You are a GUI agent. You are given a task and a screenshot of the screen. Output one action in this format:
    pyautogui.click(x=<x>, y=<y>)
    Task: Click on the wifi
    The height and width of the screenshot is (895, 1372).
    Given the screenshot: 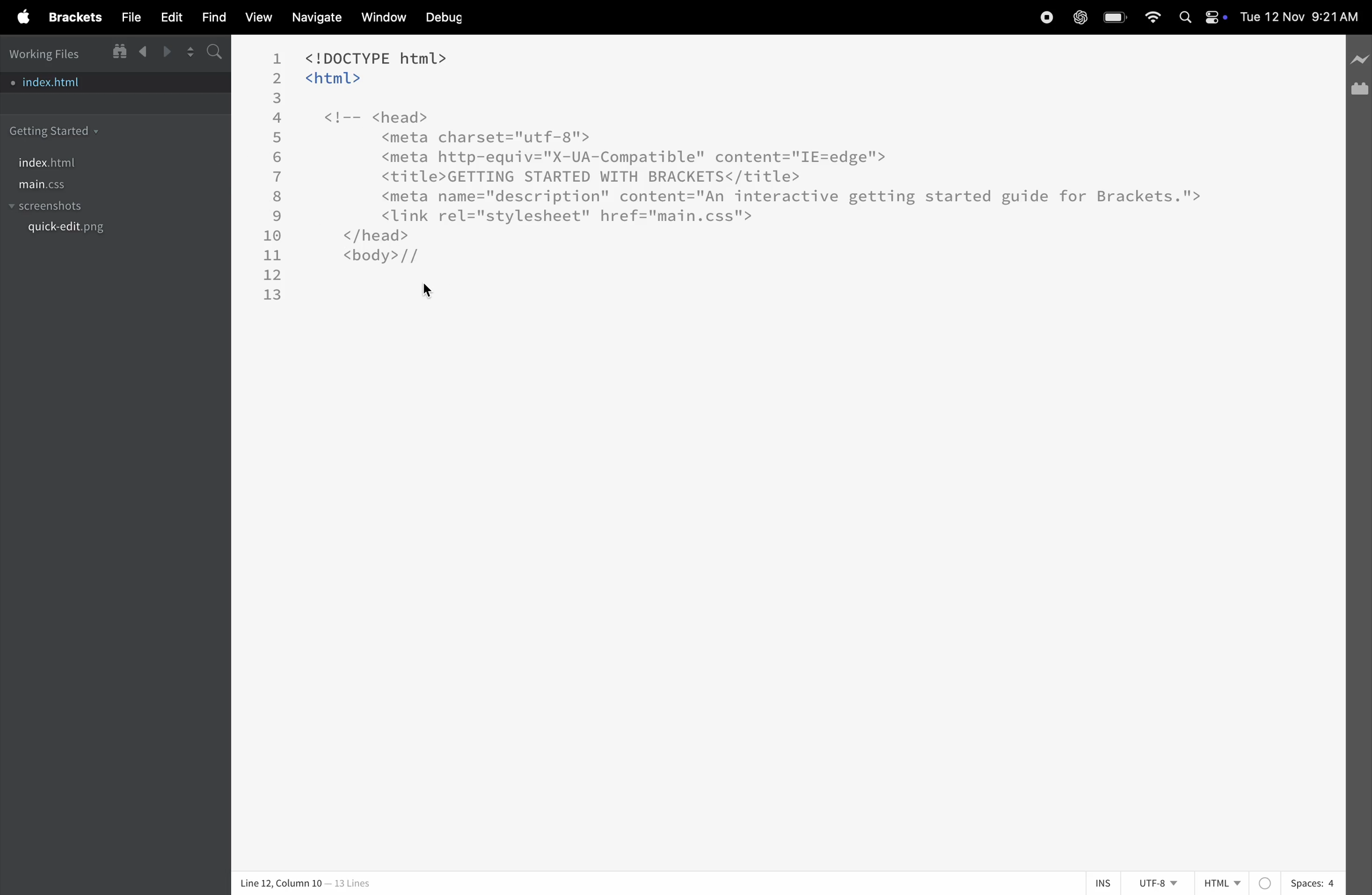 What is the action you would take?
    pyautogui.click(x=1150, y=16)
    